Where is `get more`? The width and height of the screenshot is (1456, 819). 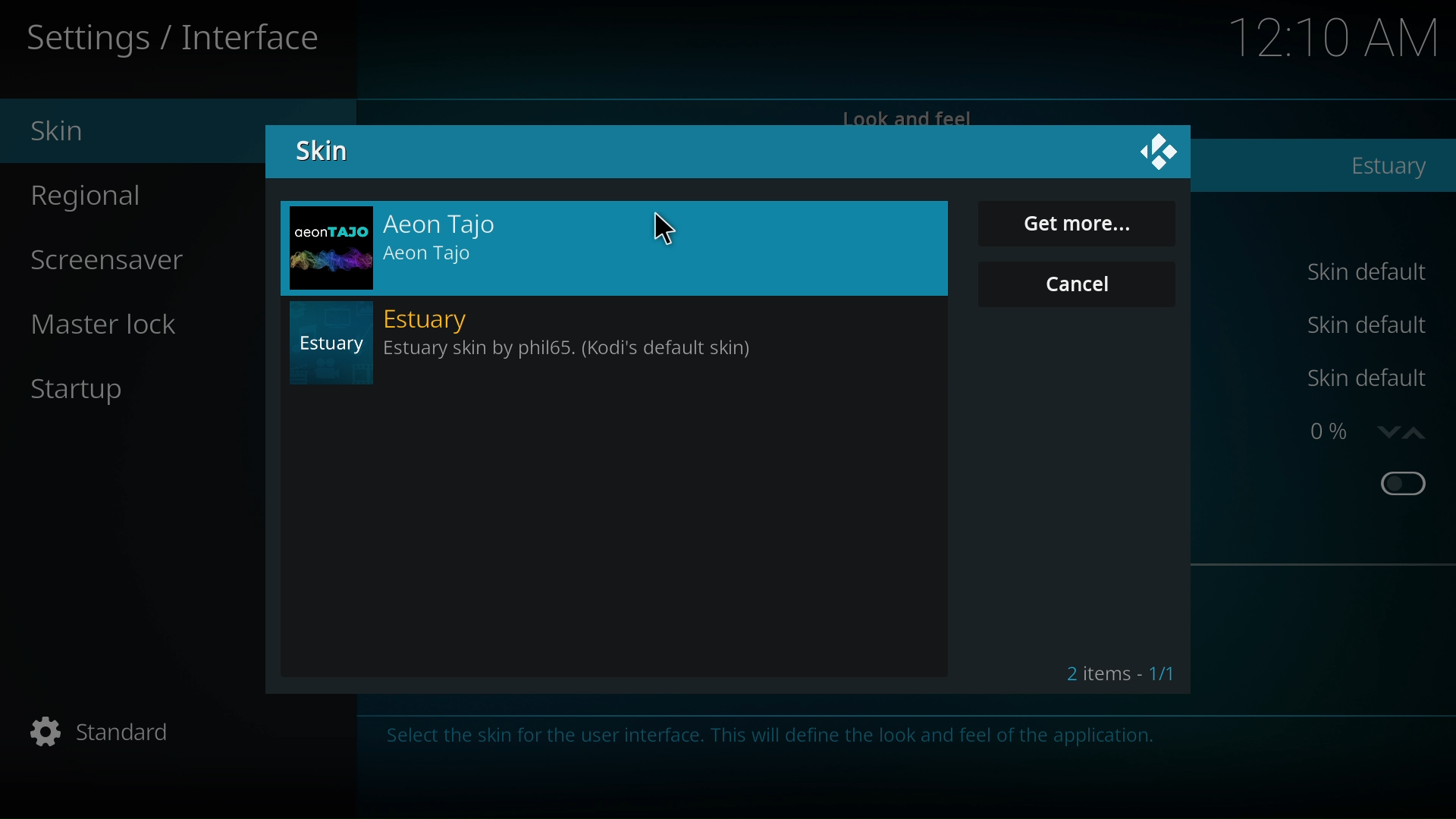 get more is located at coordinates (1077, 224).